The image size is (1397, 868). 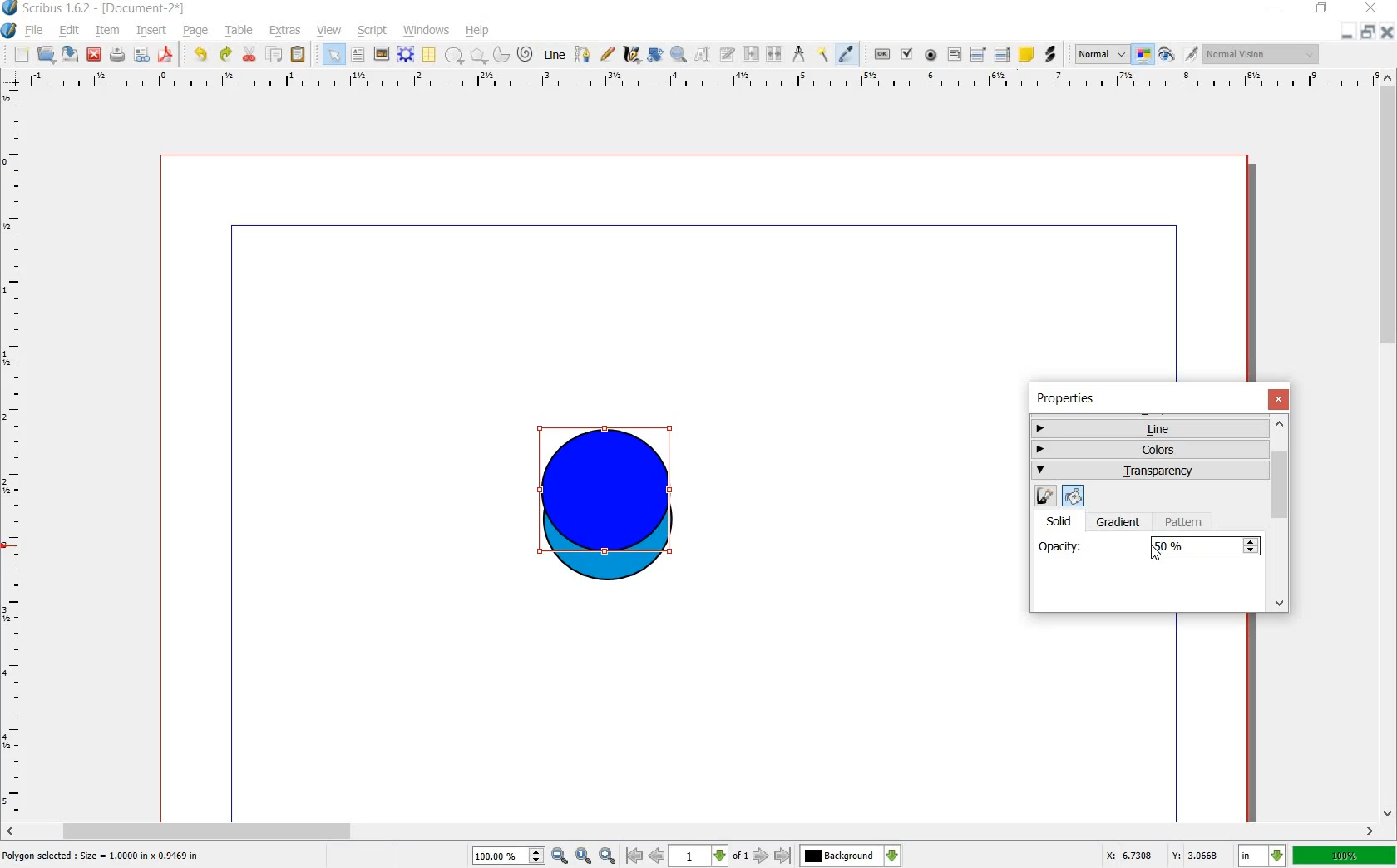 What do you see at coordinates (1071, 398) in the screenshot?
I see `properties` at bounding box center [1071, 398].